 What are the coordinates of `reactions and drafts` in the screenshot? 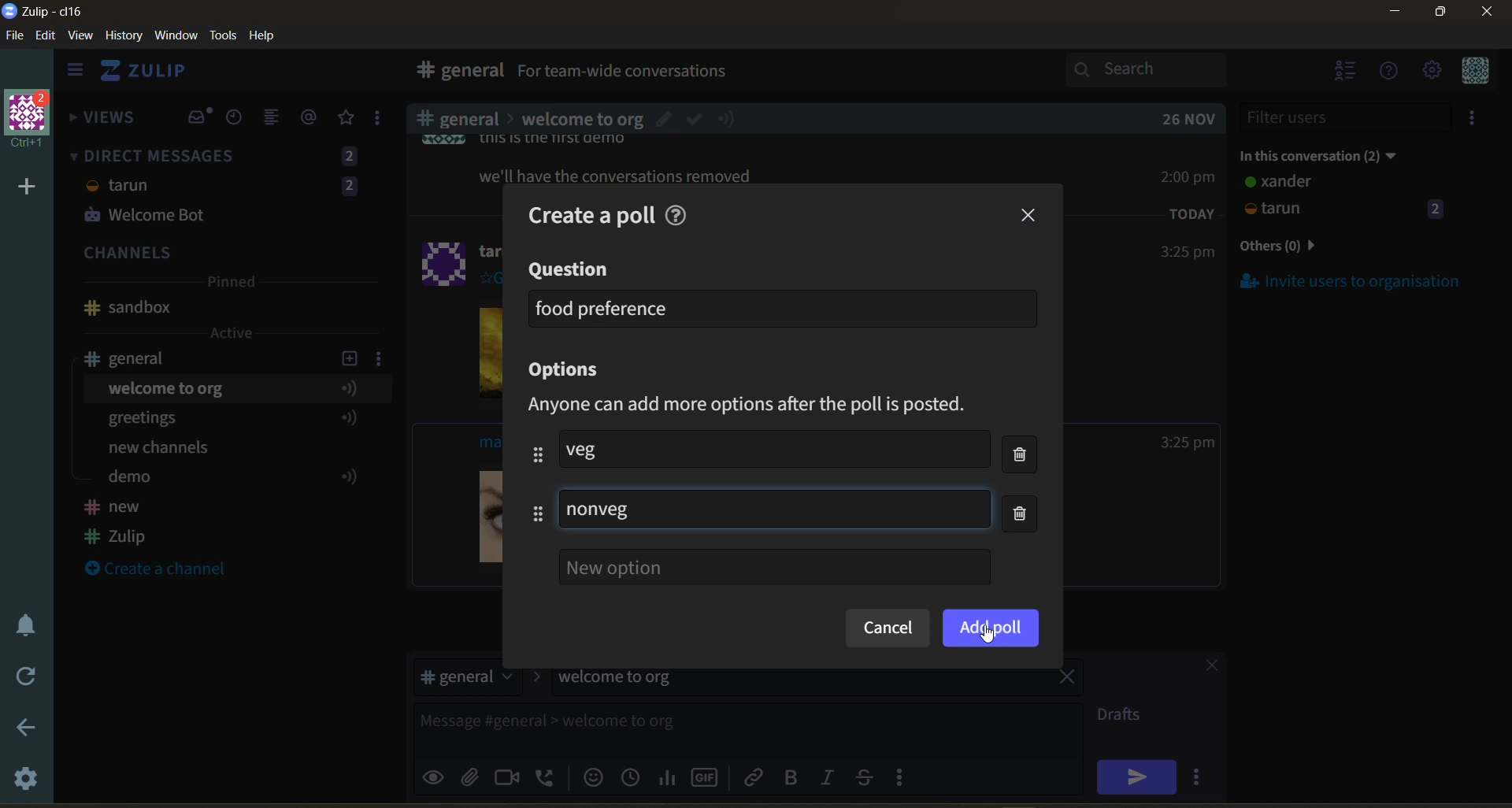 It's located at (384, 121).